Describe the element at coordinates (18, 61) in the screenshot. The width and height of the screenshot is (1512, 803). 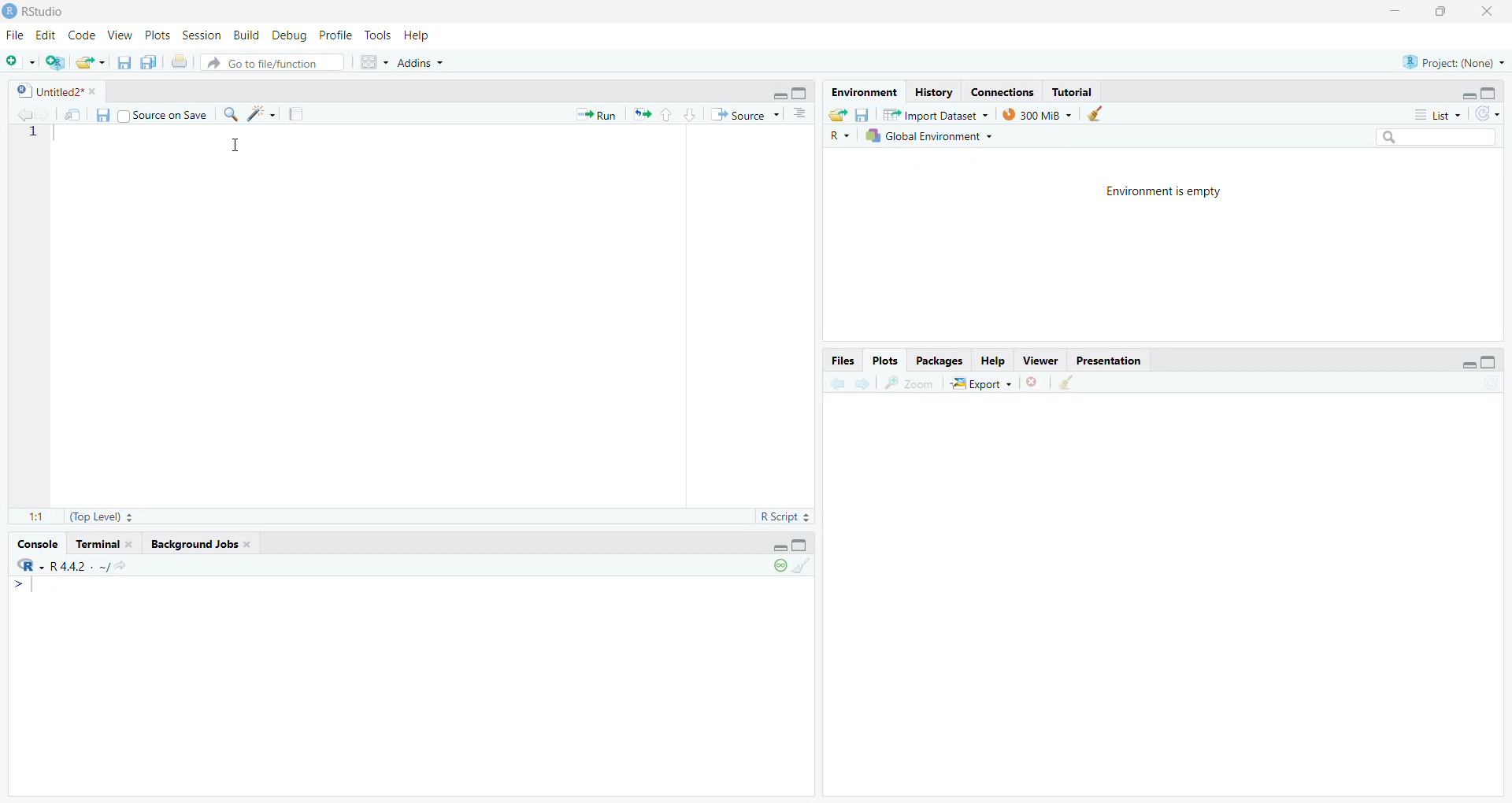
I see `new file` at that location.